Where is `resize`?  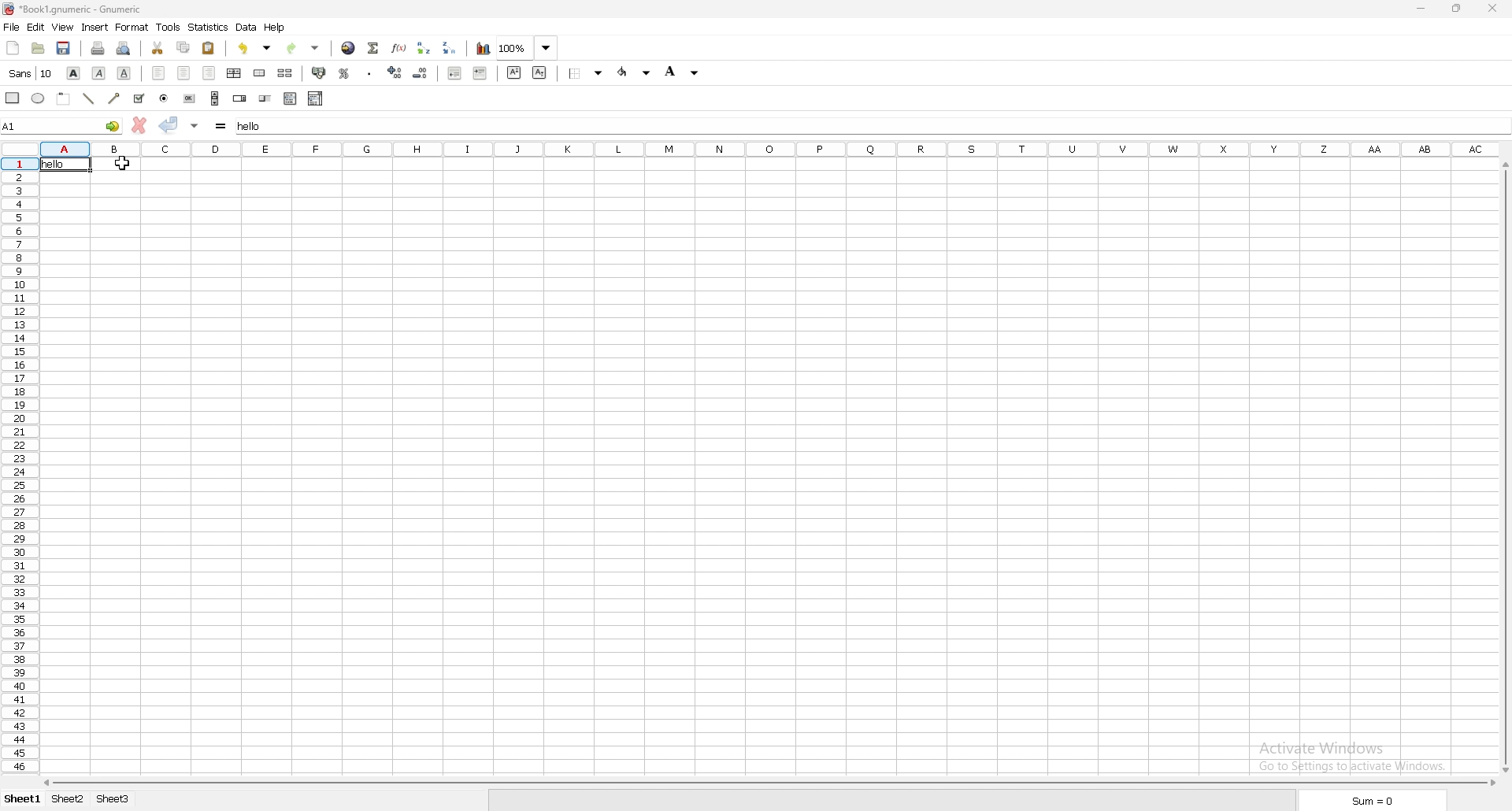
resize is located at coordinates (1456, 9).